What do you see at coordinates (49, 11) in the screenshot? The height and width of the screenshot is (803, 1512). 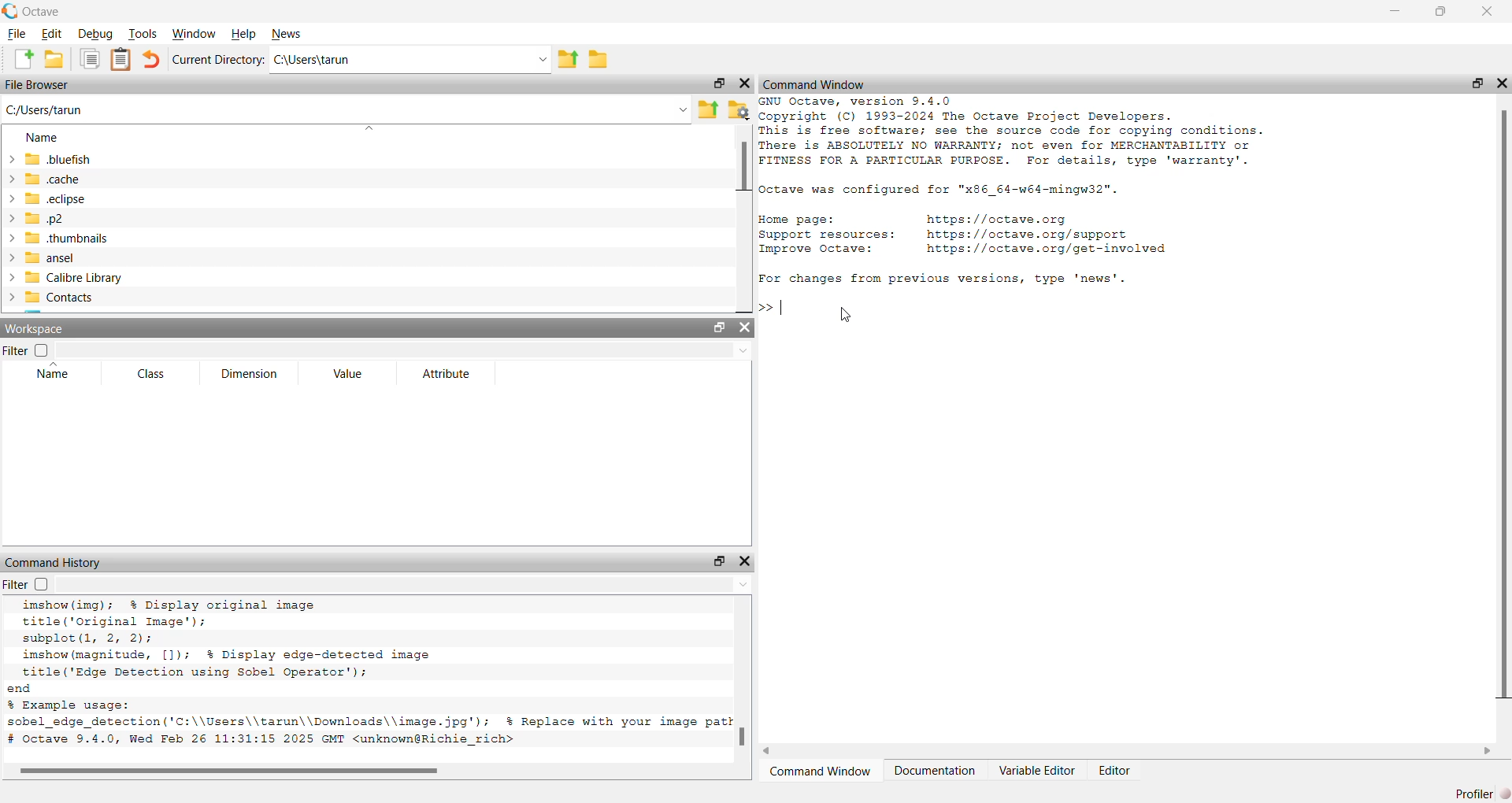 I see `Octave` at bounding box center [49, 11].